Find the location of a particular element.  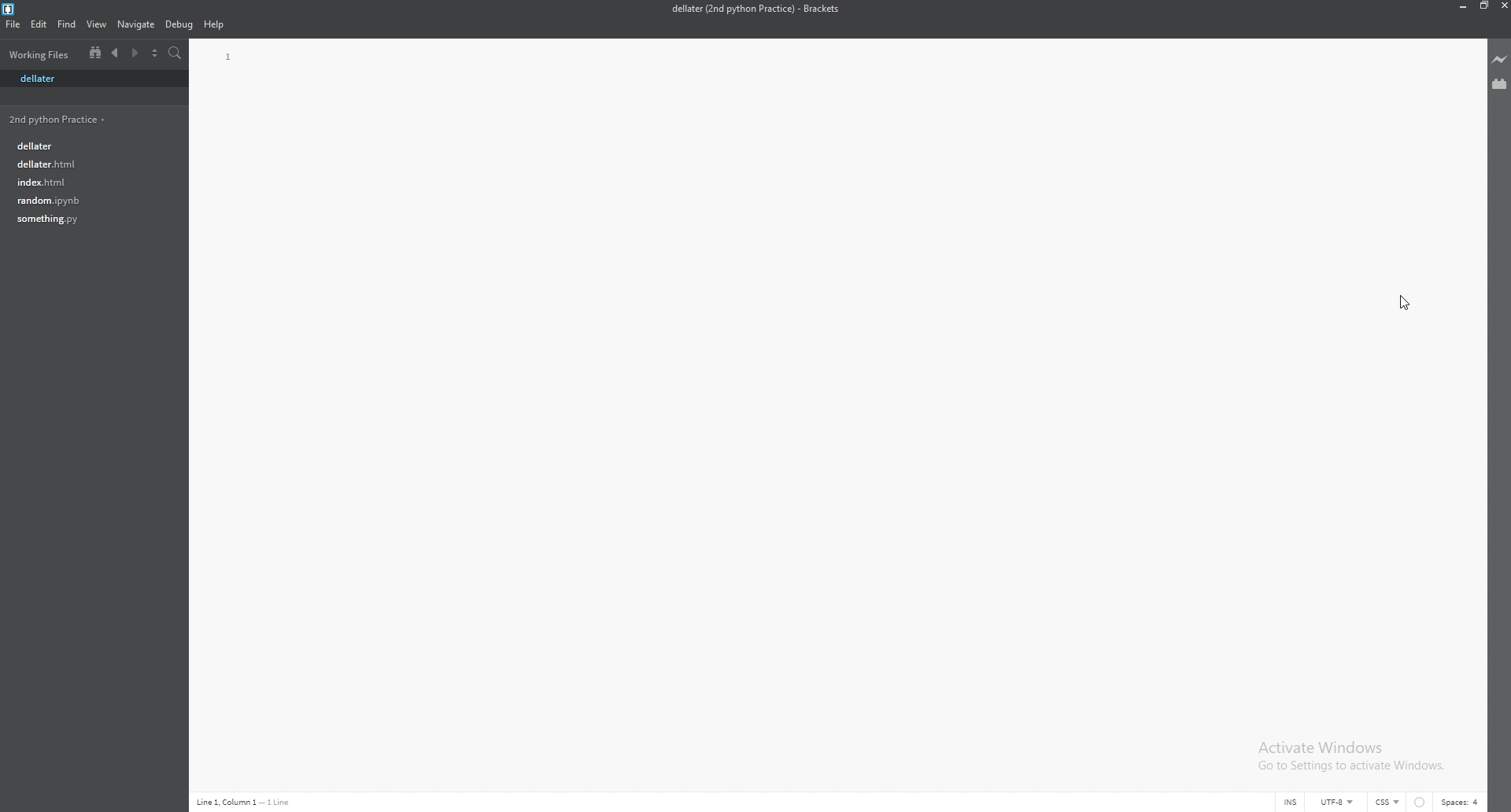

navigate is located at coordinates (136, 25).